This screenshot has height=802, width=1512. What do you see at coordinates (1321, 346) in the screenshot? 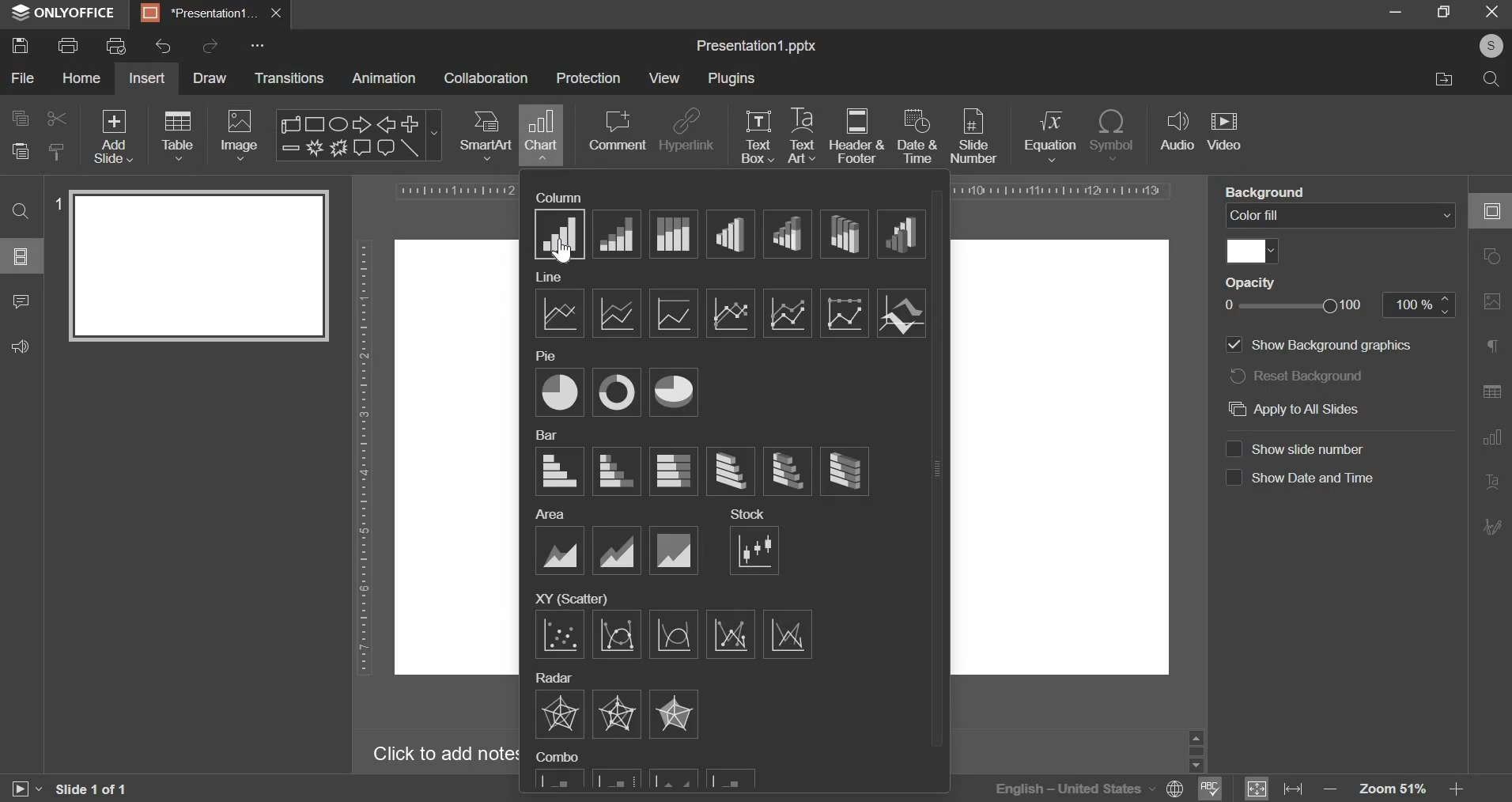
I see `show background graphics` at bounding box center [1321, 346].